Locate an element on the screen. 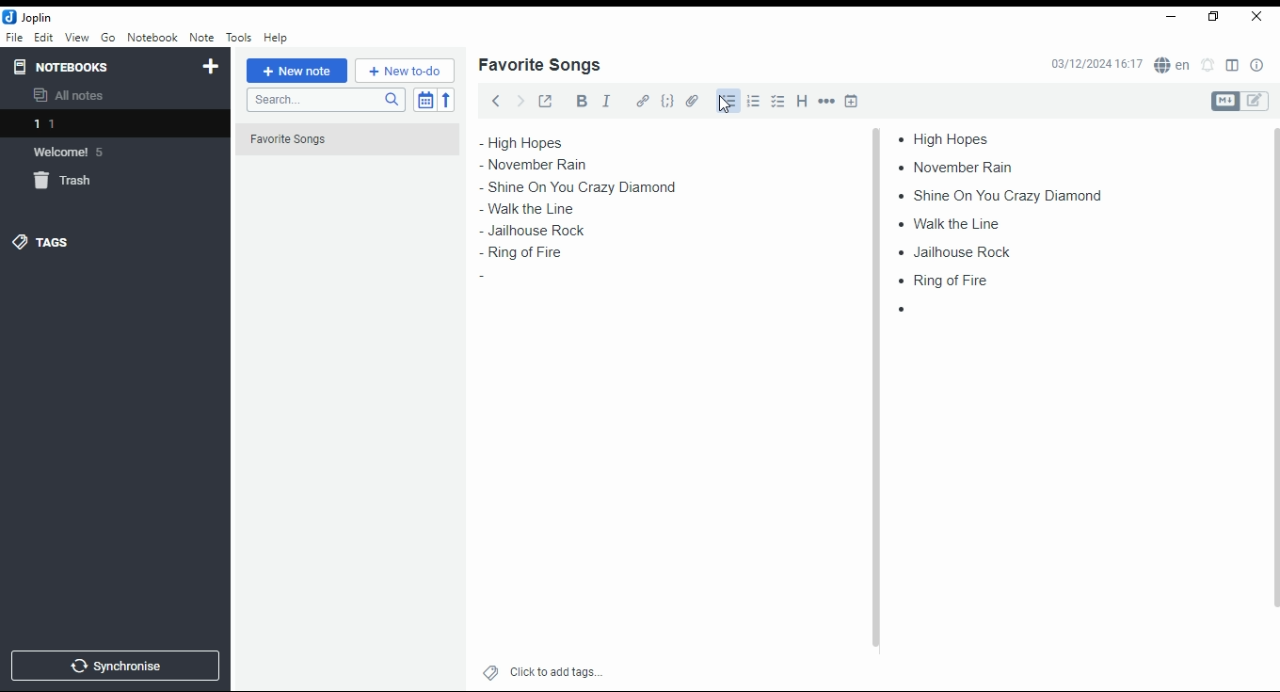 The image size is (1280, 692). help is located at coordinates (275, 38).